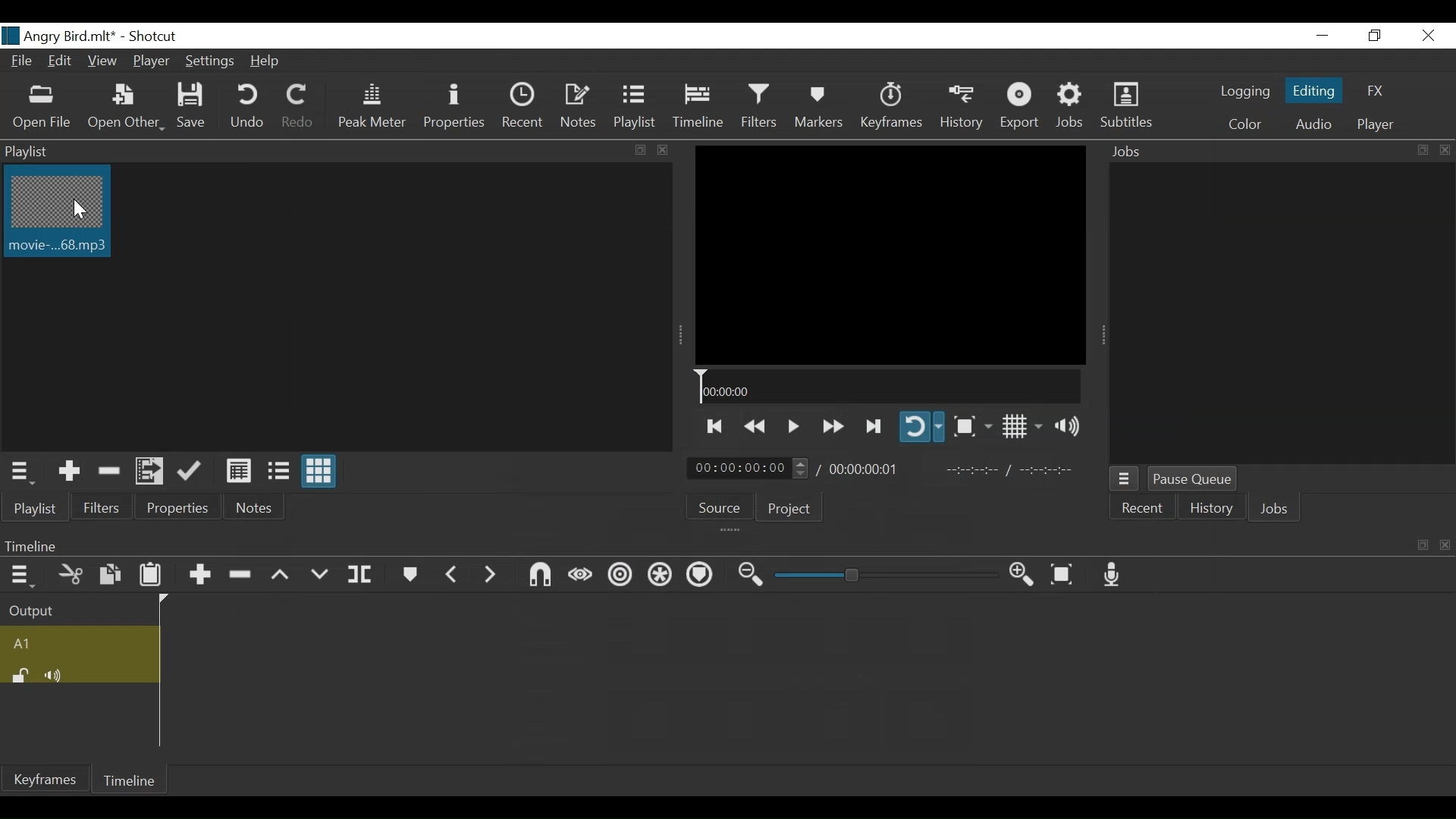  What do you see at coordinates (661, 576) in the screenshot?
I see `Ripple all tracks` at bounding box center [661, 576].